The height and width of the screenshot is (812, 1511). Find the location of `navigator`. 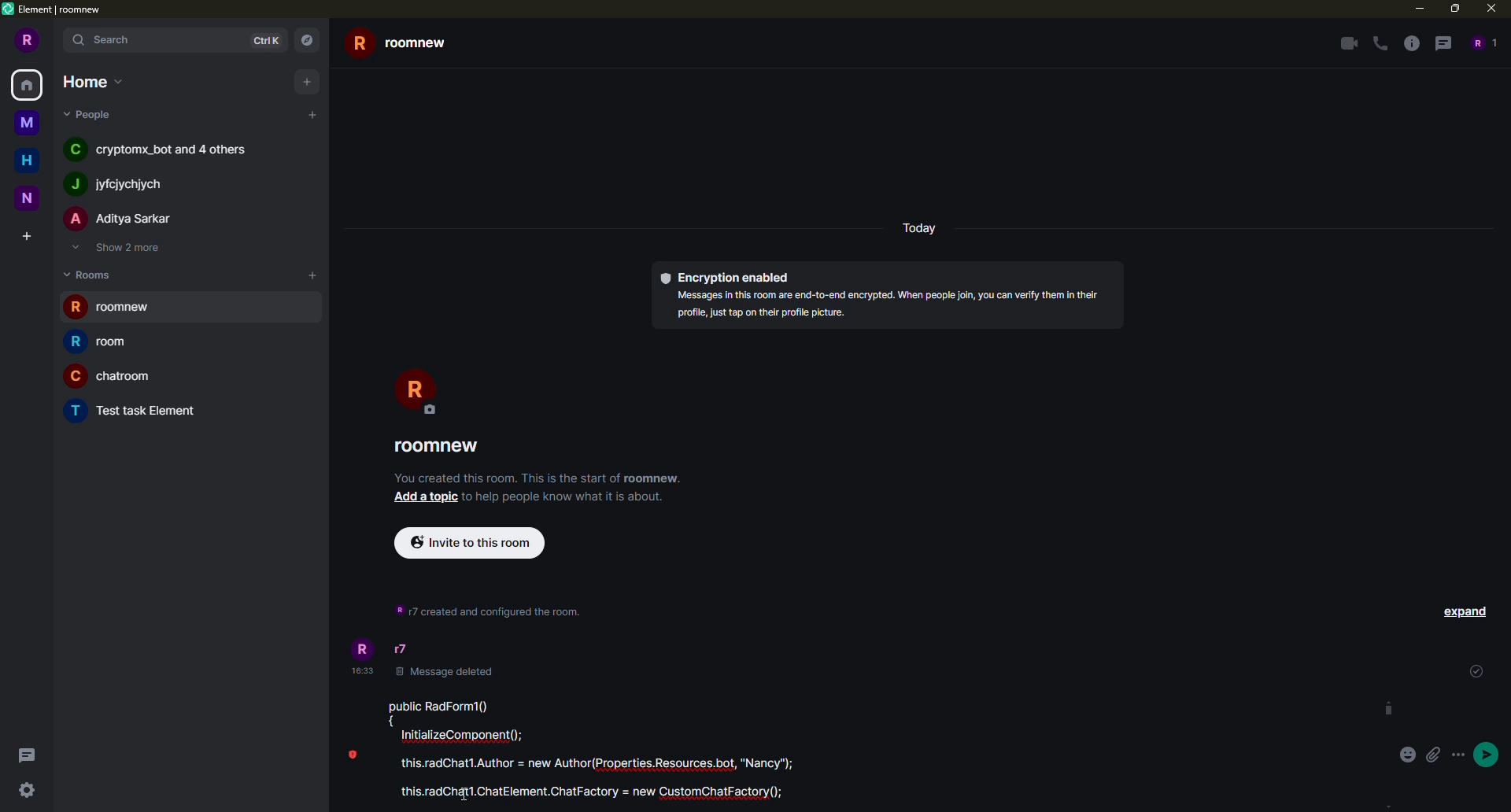

navigator is located at coordinates (307, 39).